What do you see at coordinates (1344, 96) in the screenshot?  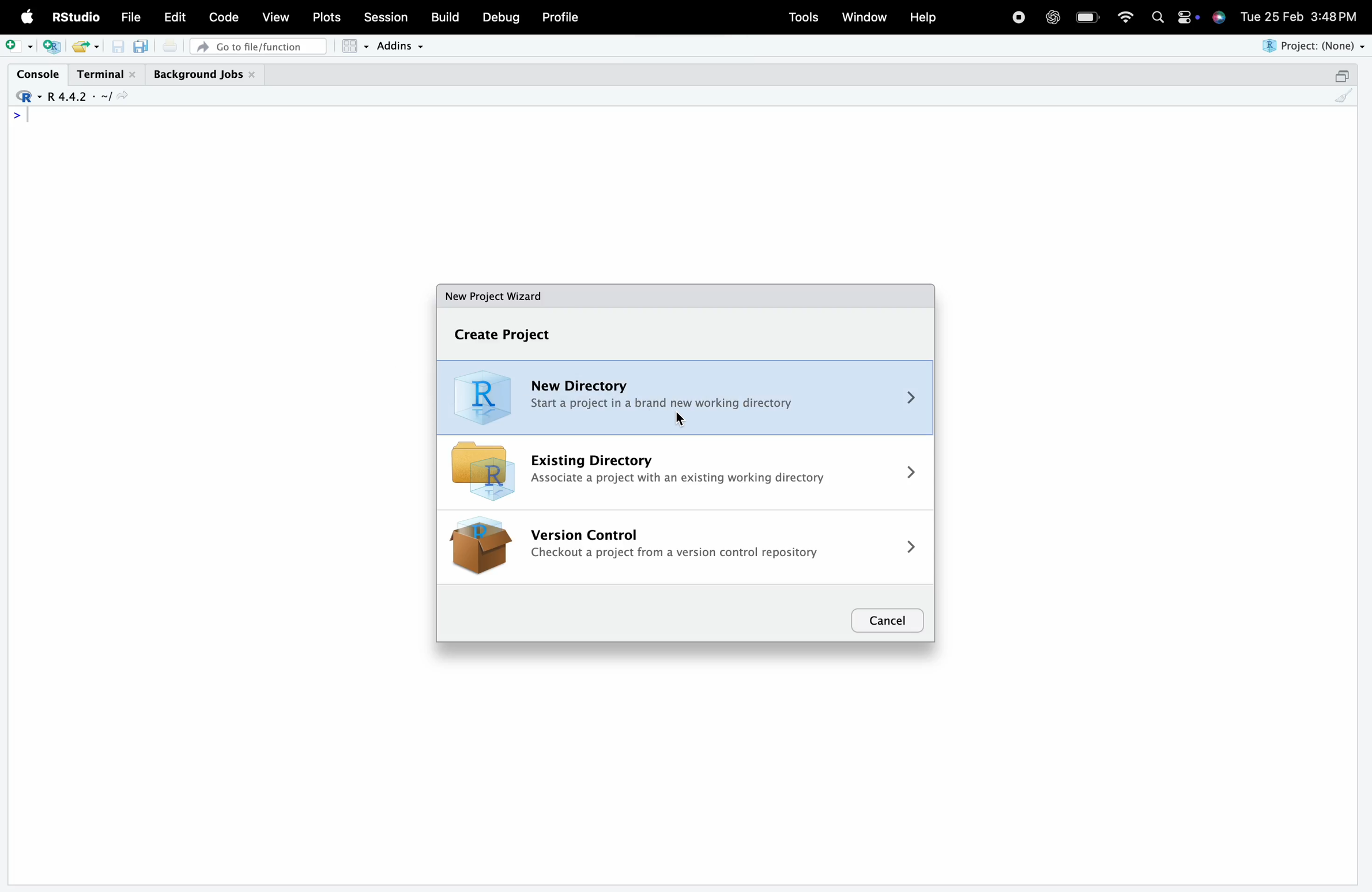 I see `clear console` at bounding box center [1344, 96].